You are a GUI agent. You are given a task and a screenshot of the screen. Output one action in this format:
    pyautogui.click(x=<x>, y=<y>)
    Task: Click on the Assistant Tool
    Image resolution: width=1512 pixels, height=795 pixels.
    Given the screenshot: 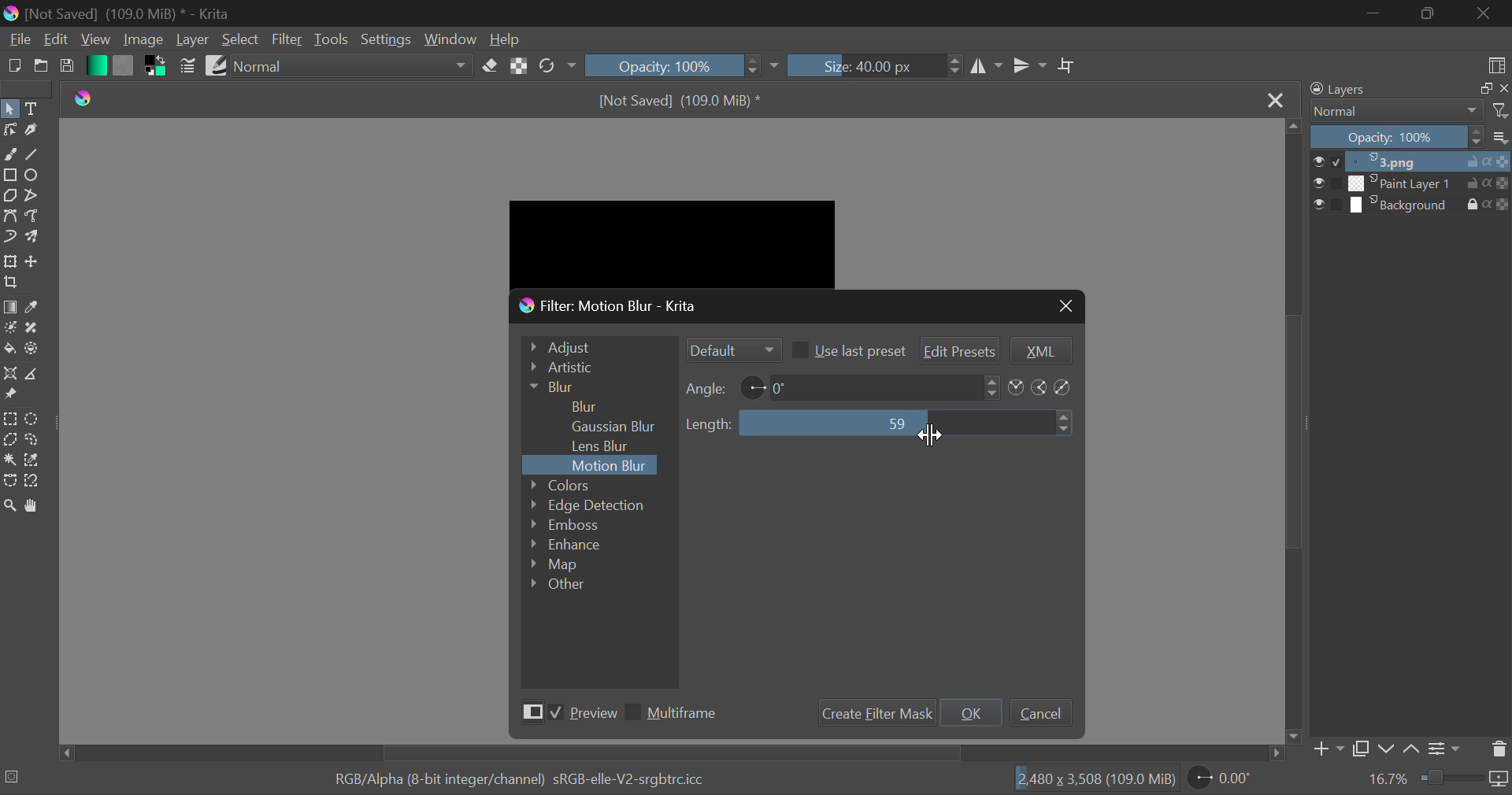 What is the action you would take?
    pyautogui.click(x=9, y=374)
    